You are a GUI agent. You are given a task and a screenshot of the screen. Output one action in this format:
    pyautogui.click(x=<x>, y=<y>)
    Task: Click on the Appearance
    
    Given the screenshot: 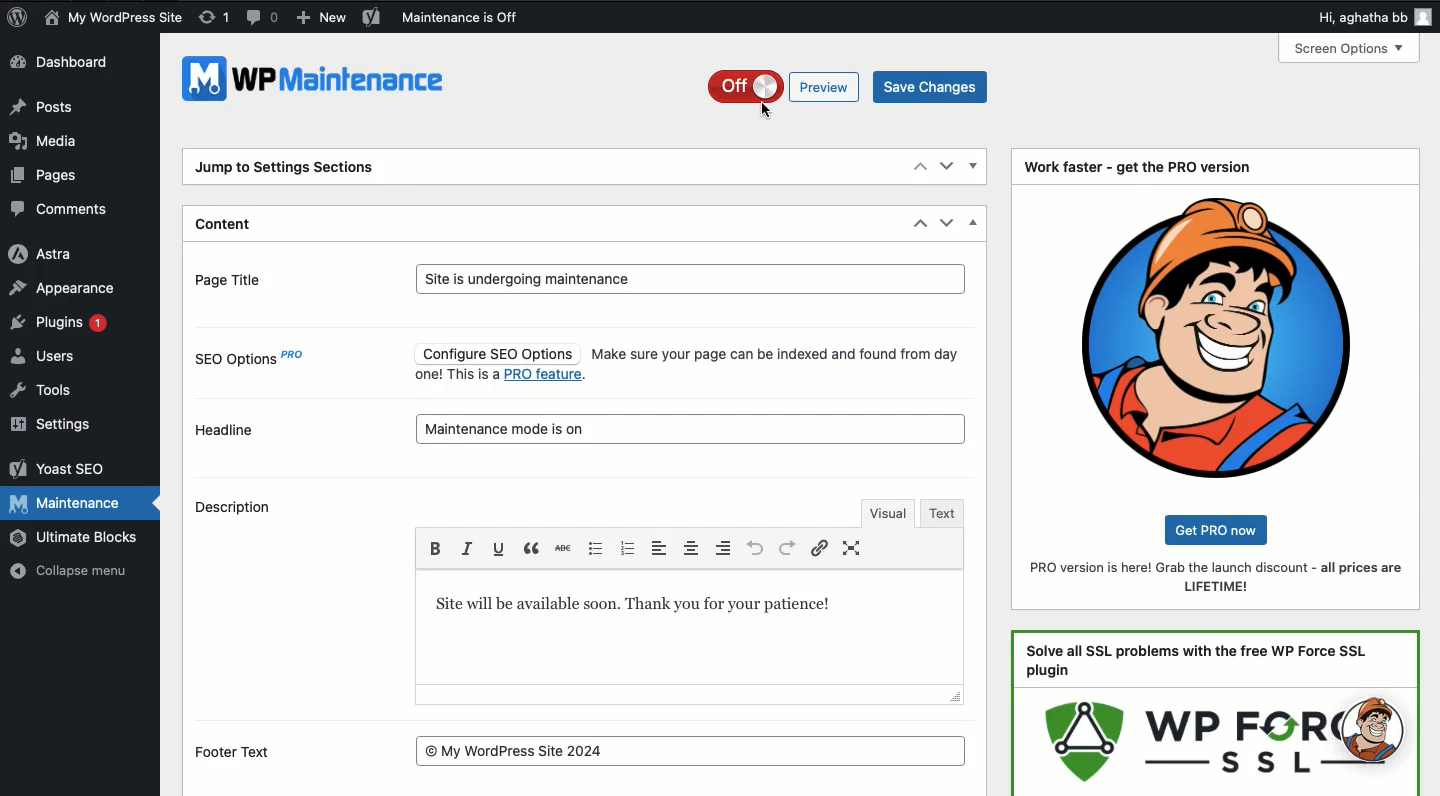 What is the action you would take?
    pyautogui.click(x=67, y=288)
    